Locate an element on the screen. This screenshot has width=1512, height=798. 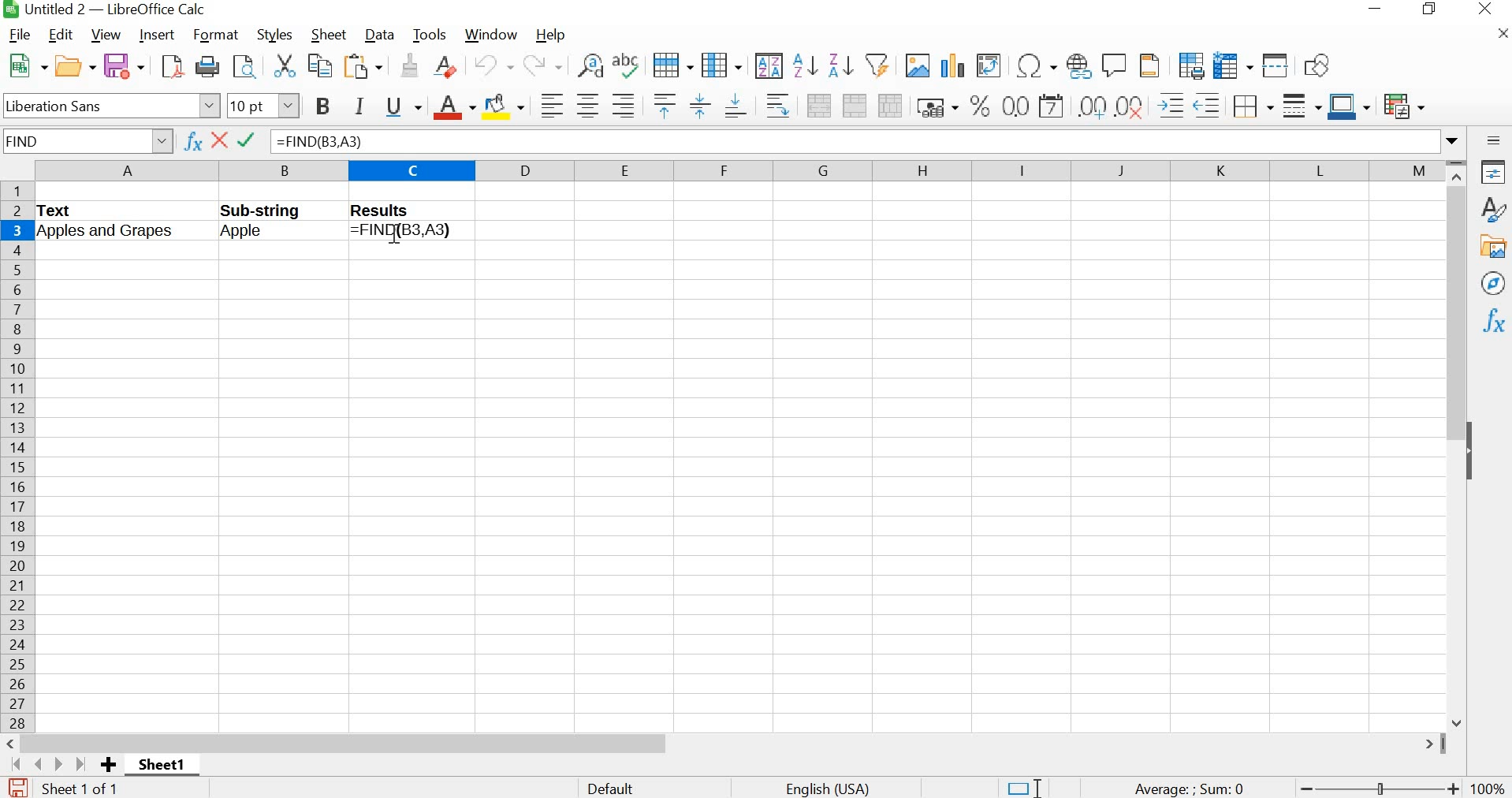
save is located at coordinates (125, 65).